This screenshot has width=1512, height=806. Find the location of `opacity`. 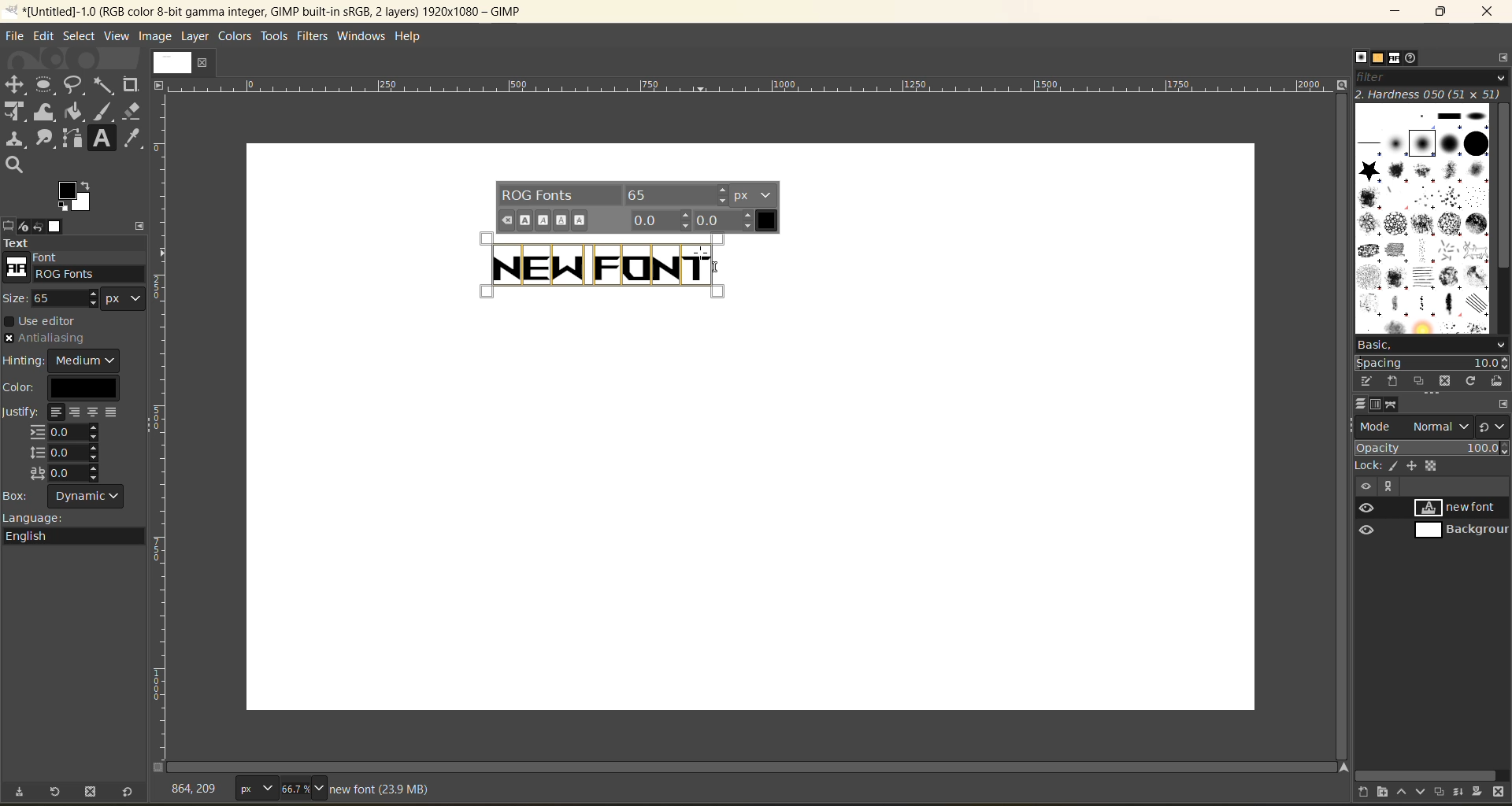

opacity is located at coordinates (1432, 450).